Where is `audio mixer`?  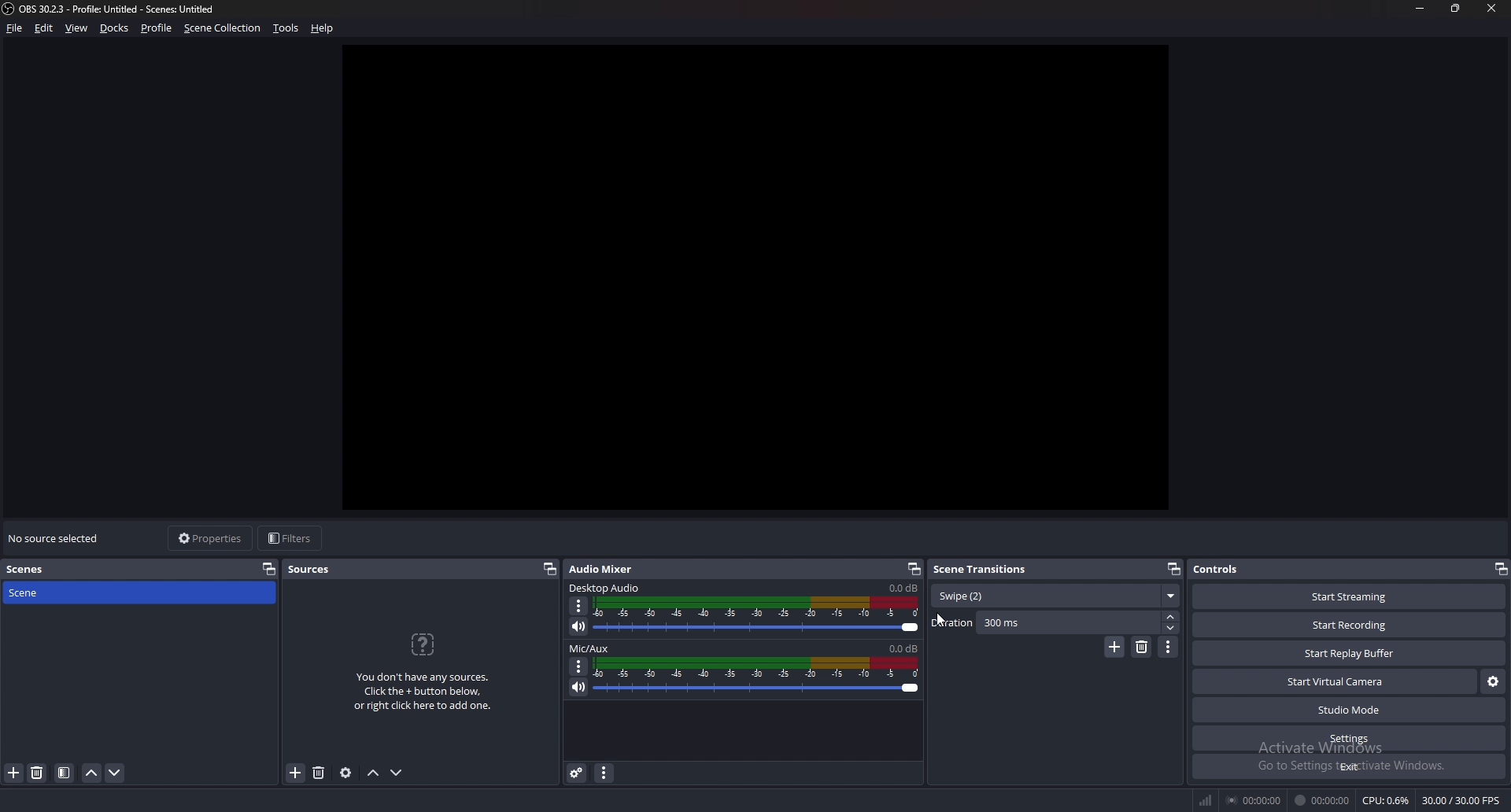
audio mixer is located at coordinates (605, 570).